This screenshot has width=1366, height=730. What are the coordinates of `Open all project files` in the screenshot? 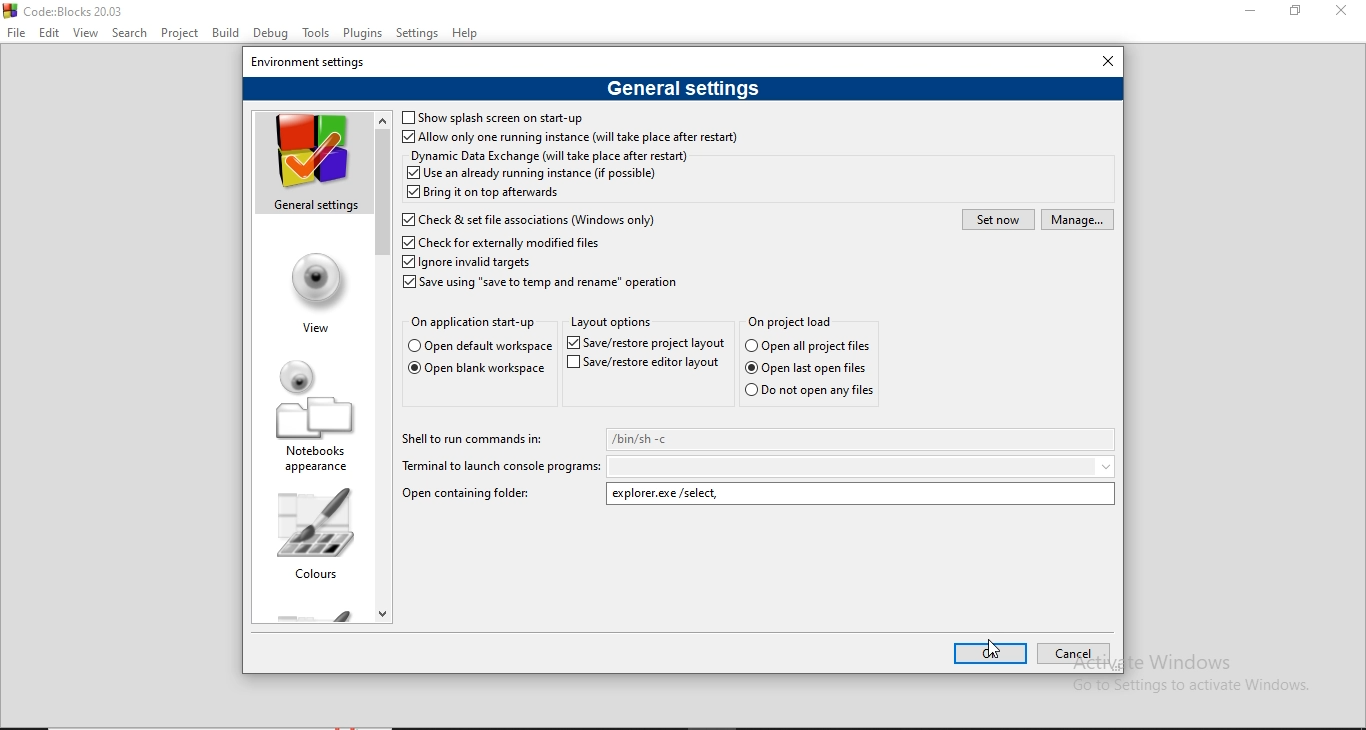 It's located at (797, 320).